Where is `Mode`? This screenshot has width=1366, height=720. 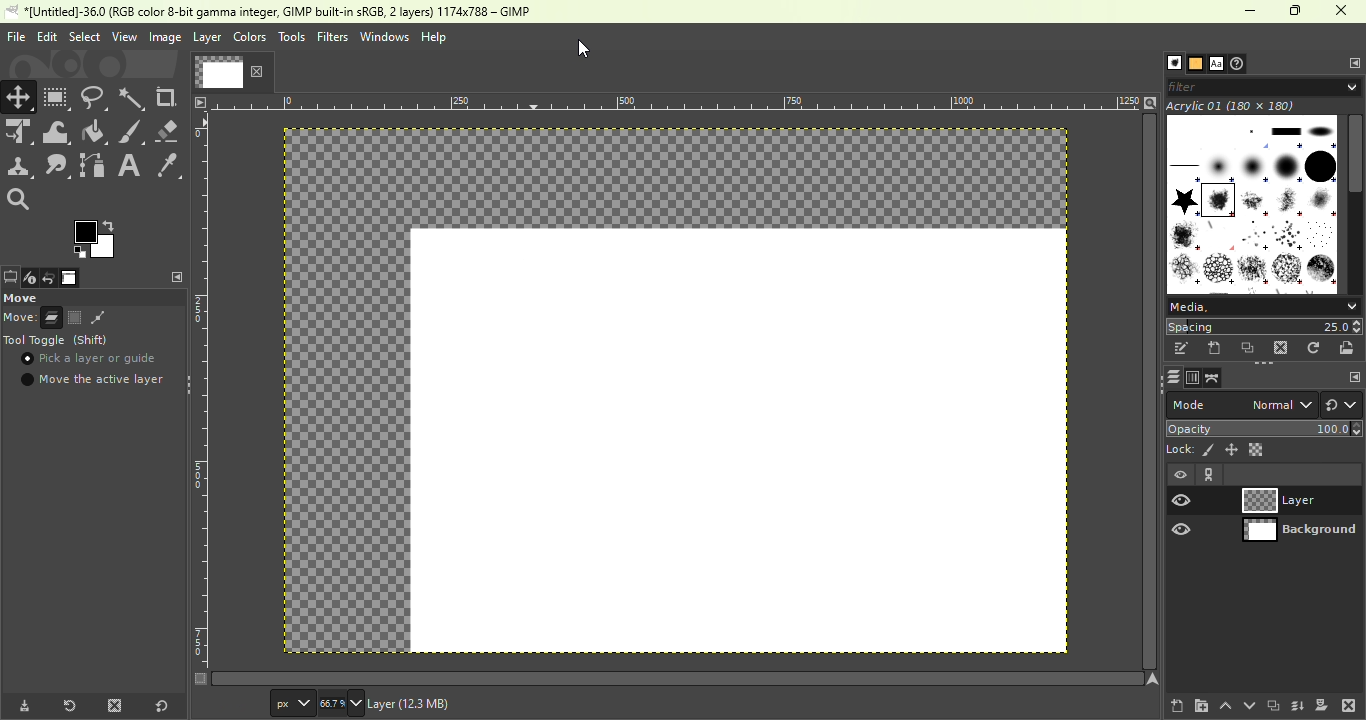
Mode is located at coordinates (33, 318).